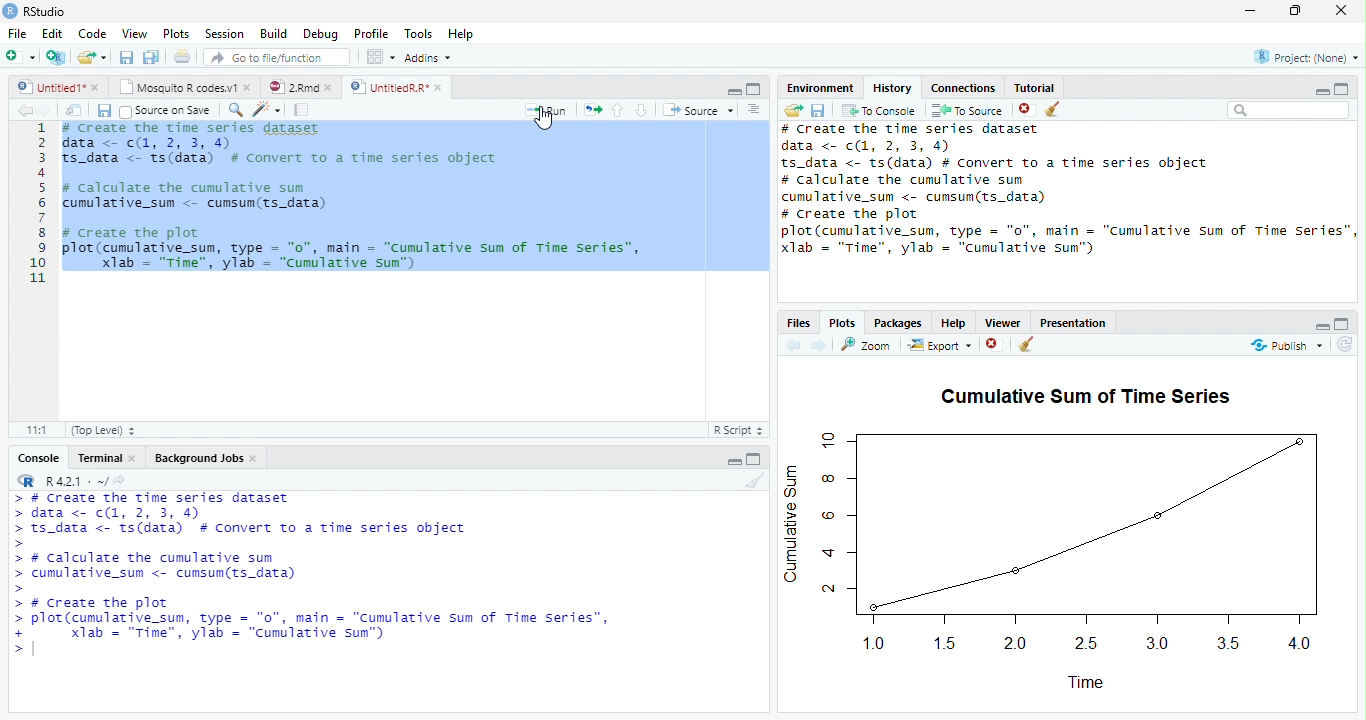  What do you see at coordinates (755, 91) in the screenshot?
I see `Maximize` at bounding box center [755, 91].